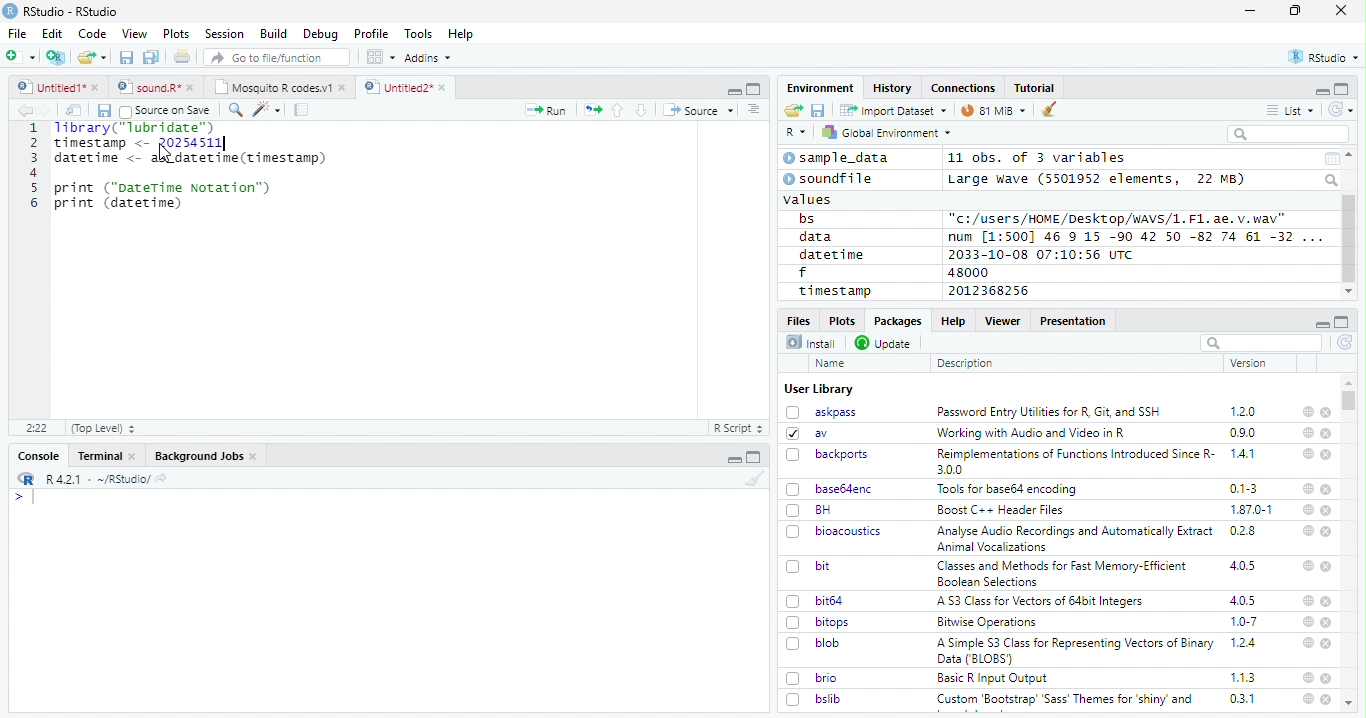 This screenshot has width=1366, height=718. Describe the element at coordinates (809, 567) in the screenshot. I see `bit` at that location.